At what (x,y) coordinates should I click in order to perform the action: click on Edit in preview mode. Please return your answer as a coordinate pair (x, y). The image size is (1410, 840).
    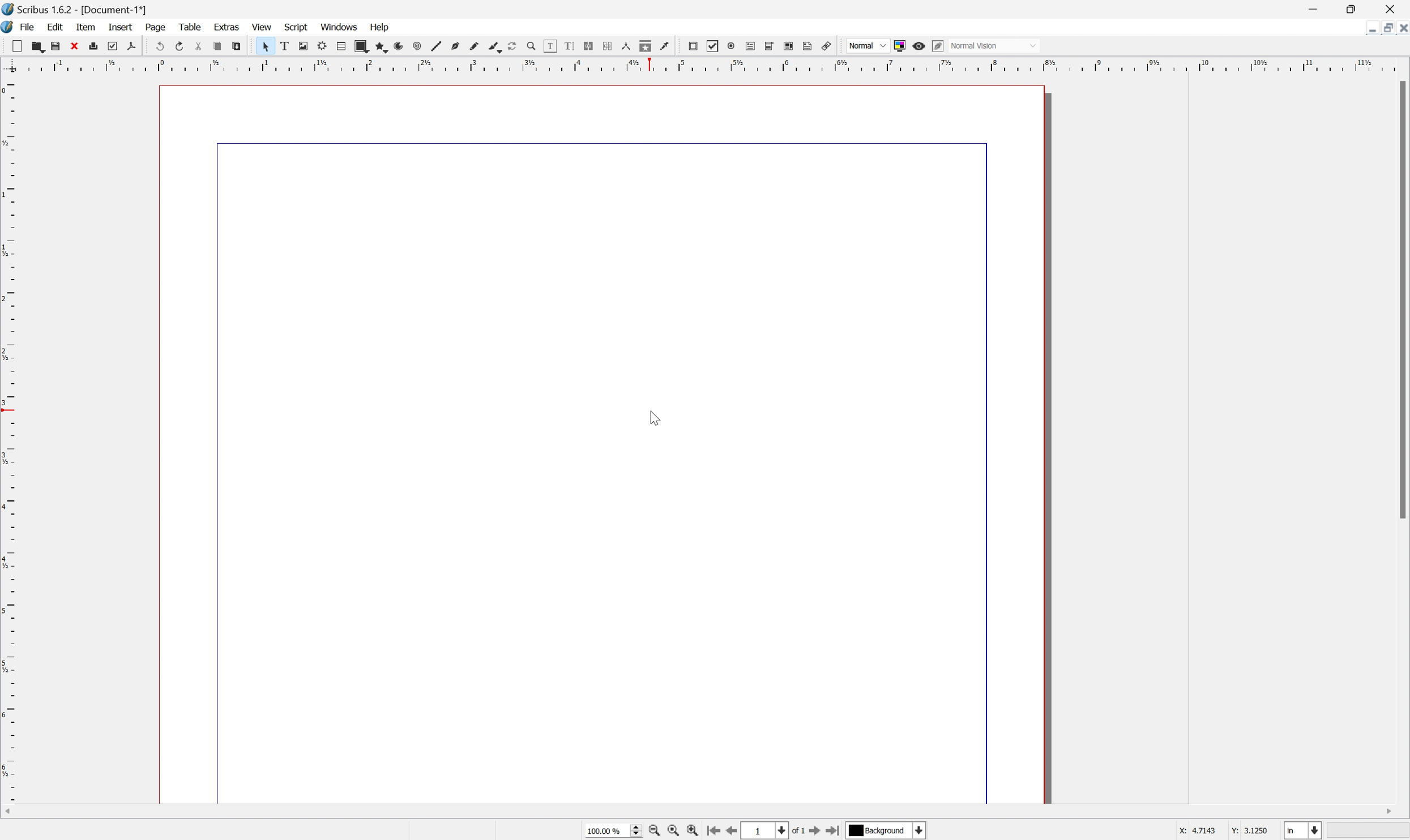
    Looking at the image, I should click on (938, 45).